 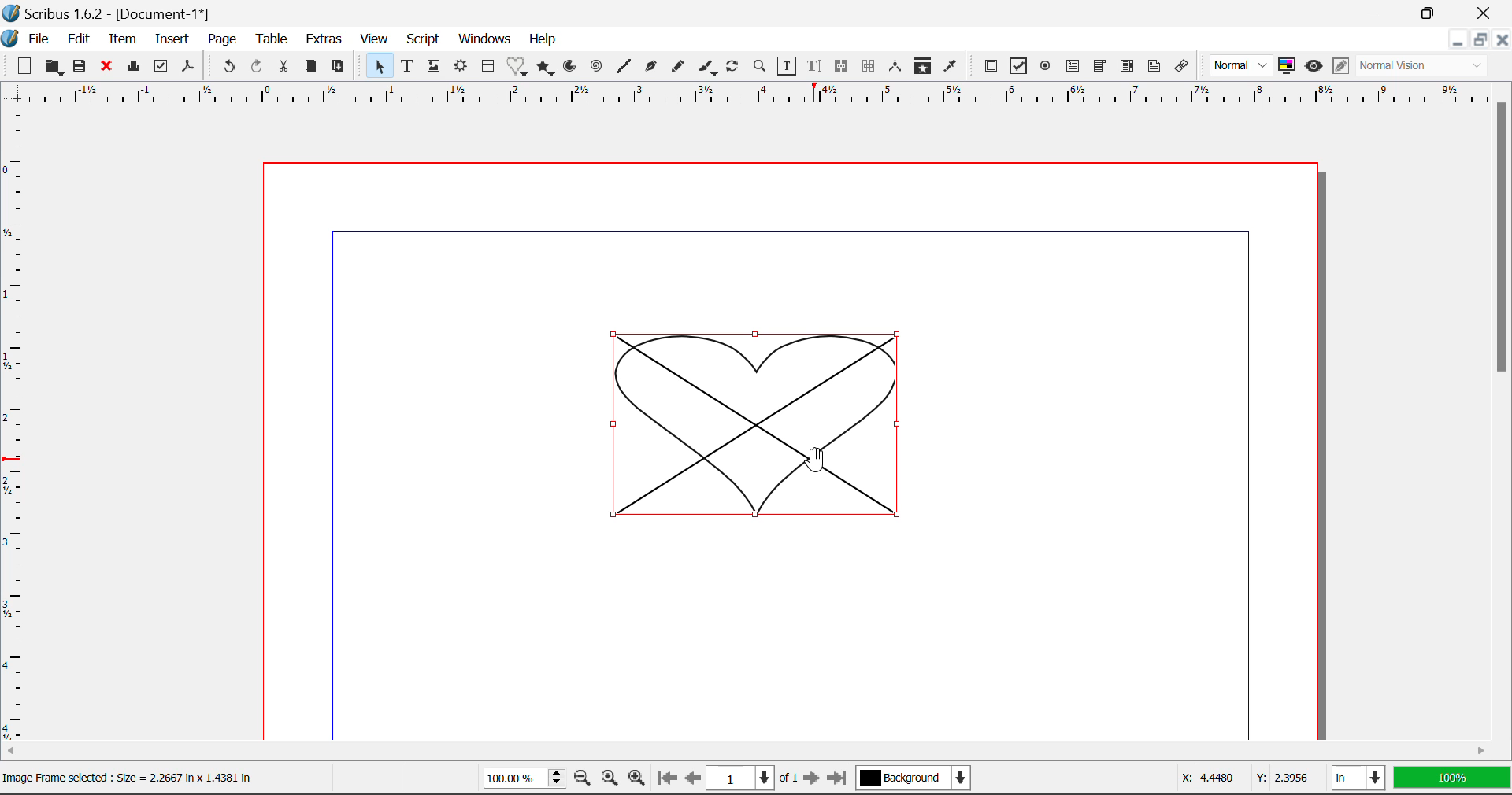 What do you see at coordinates (136, 67) in the screenshot?
I see `Print` at bounding box center [136, 67].